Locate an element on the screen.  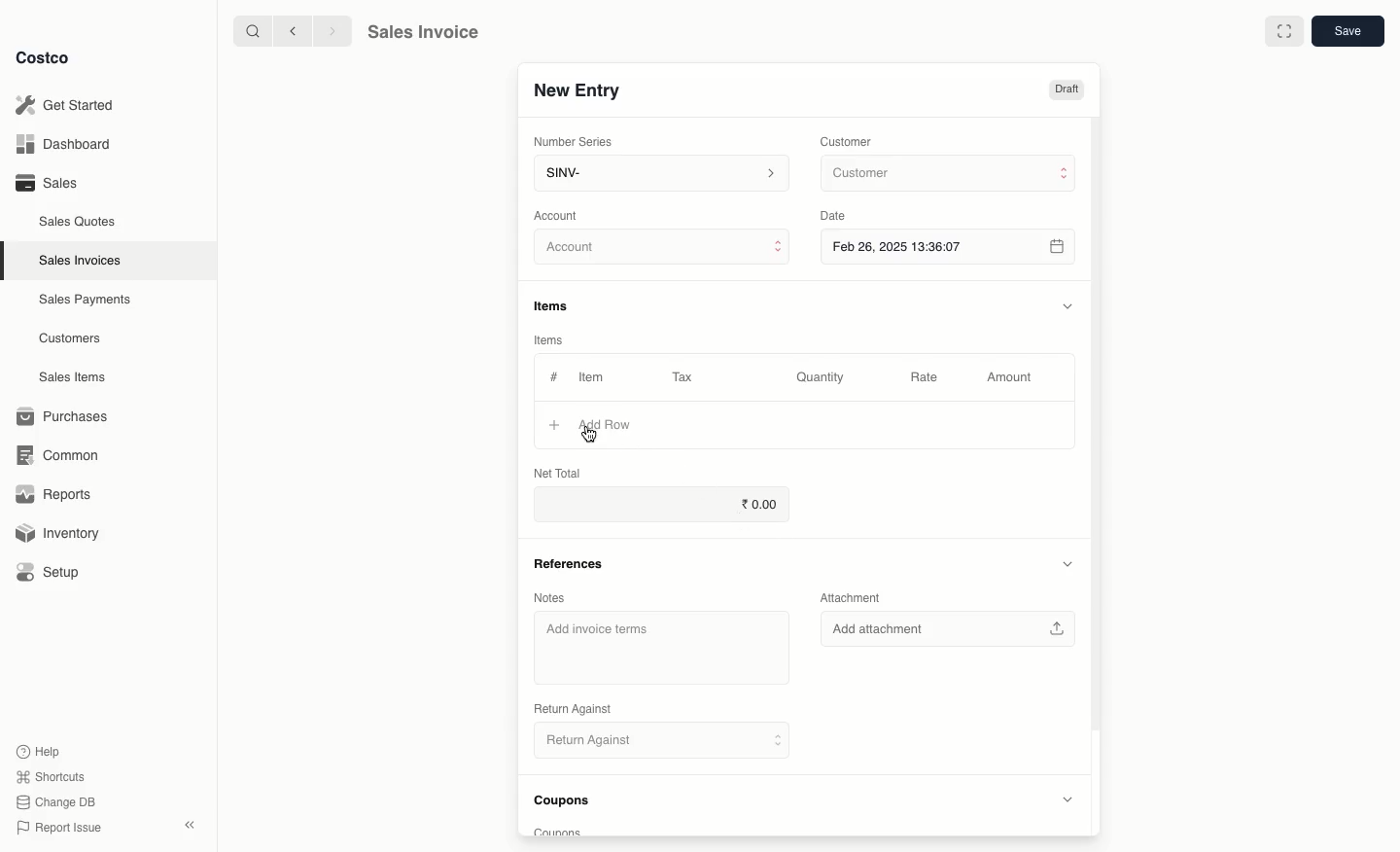
Setup is located at coordinates (55, 572).